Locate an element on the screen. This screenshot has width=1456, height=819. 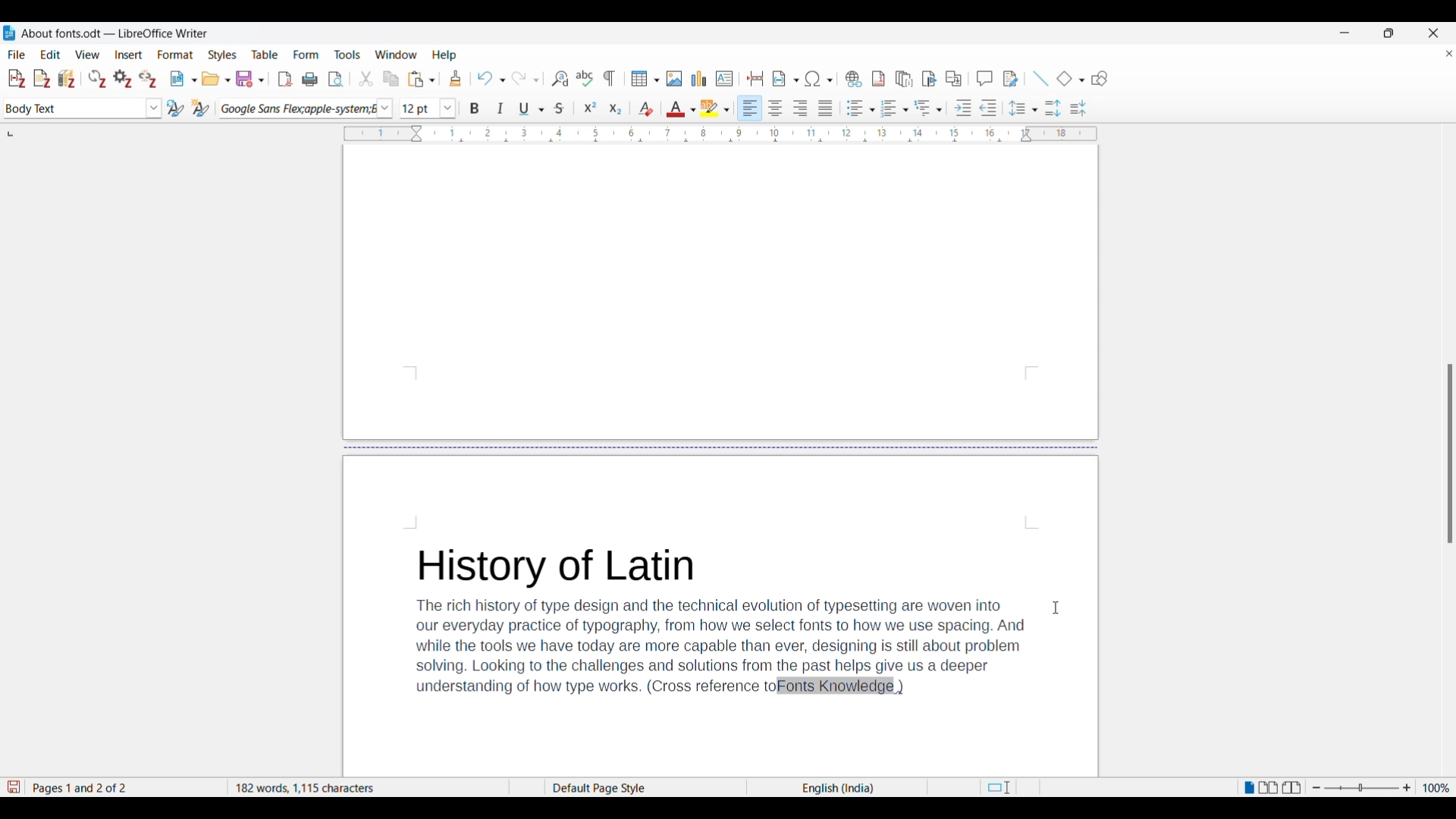
Subscript is located at coordinates (616, 109).